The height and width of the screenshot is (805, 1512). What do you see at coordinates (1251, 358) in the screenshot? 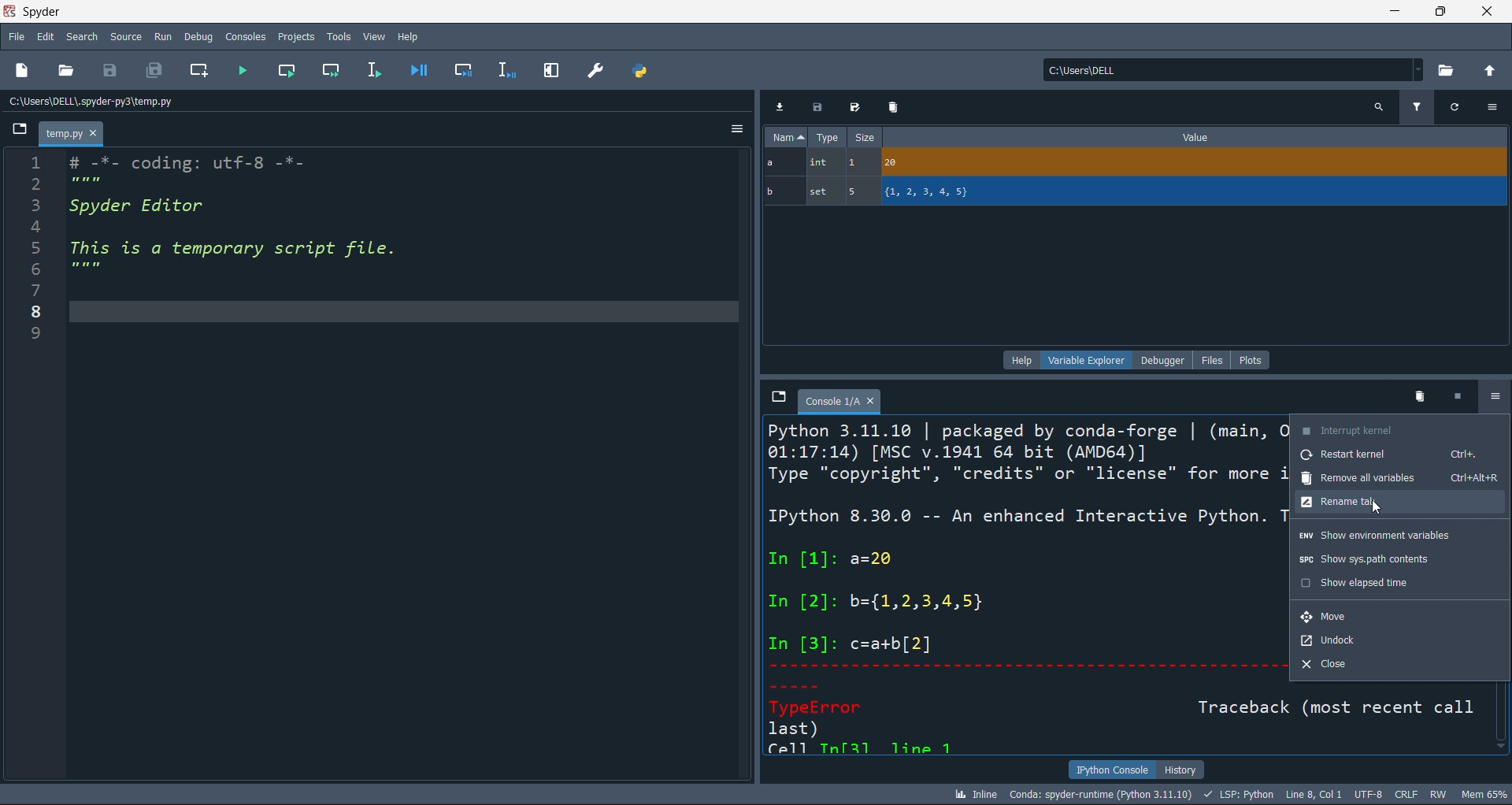
I see `plots` at bounding box center [1251, 358].